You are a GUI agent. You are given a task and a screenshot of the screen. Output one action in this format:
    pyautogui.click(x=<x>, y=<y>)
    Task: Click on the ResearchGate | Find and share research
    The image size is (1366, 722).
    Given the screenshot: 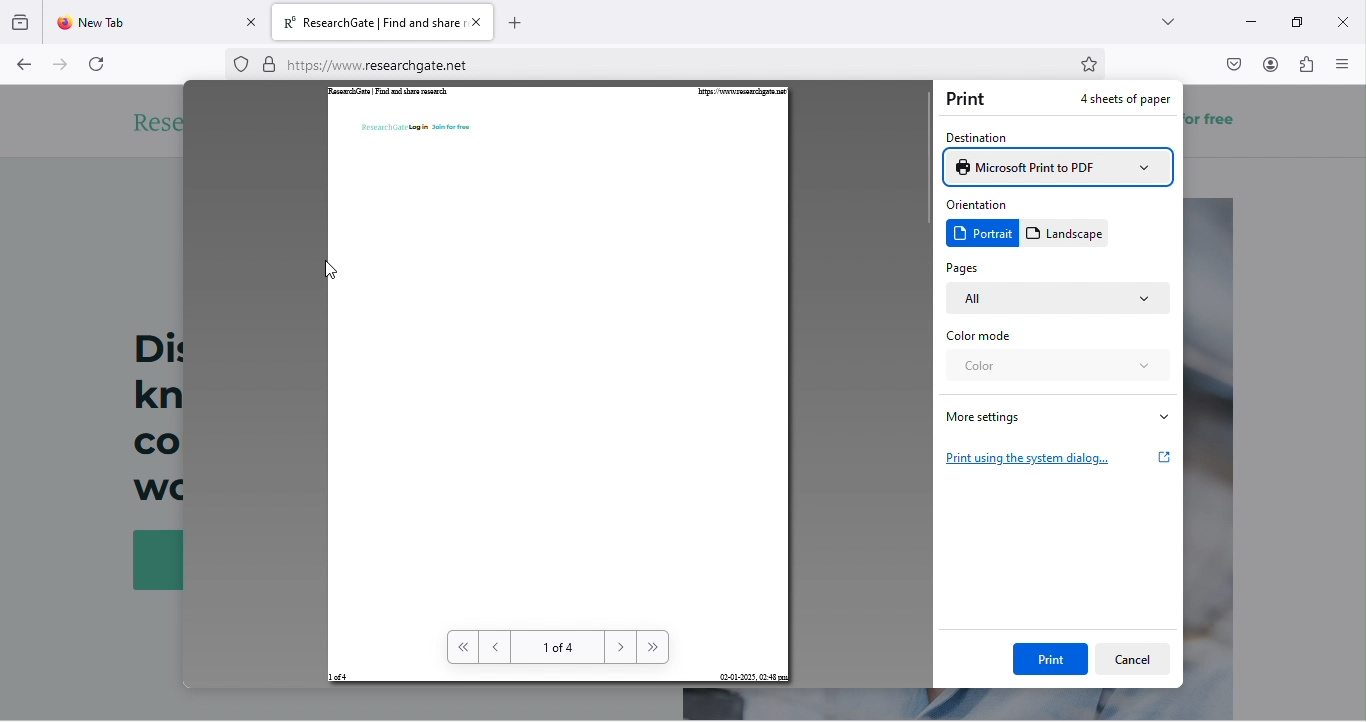 What is the action you would take?
    pyautogui.click(x=390, y=92)
    